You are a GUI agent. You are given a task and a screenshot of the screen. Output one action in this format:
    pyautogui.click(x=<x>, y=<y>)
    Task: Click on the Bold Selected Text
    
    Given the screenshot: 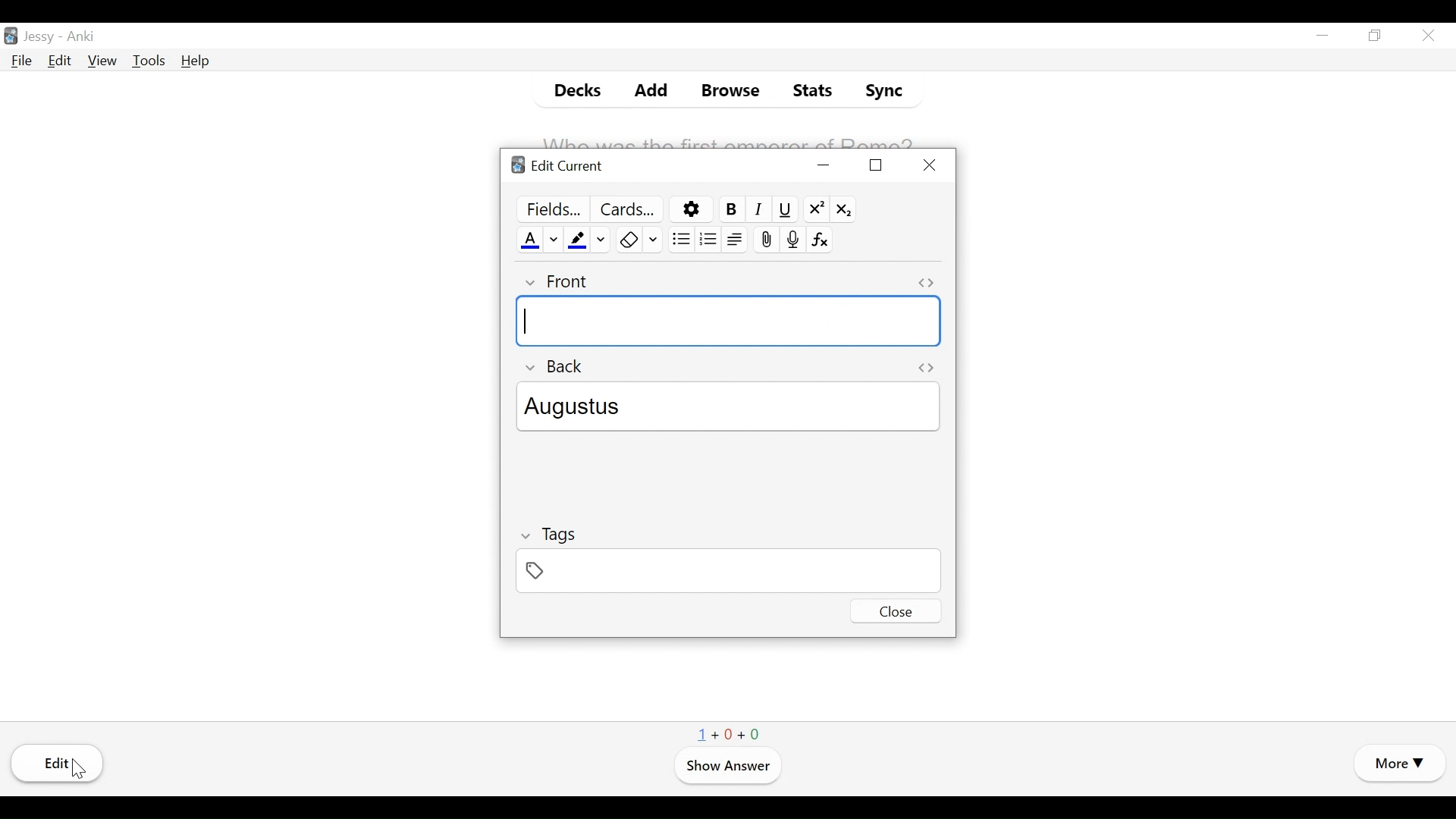 What is the action you would take?
    pyautogui.click(x=729, y=209)
    